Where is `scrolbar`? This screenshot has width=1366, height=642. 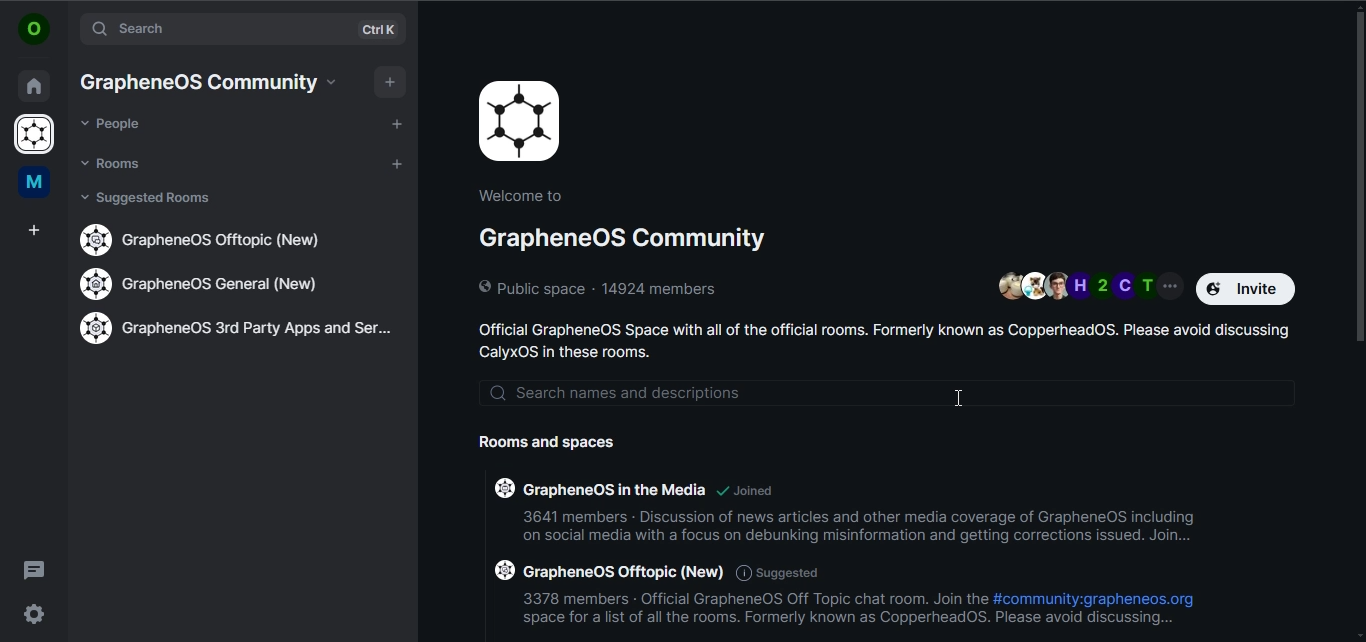
scrolbar is located at coordinates (1357, 171).